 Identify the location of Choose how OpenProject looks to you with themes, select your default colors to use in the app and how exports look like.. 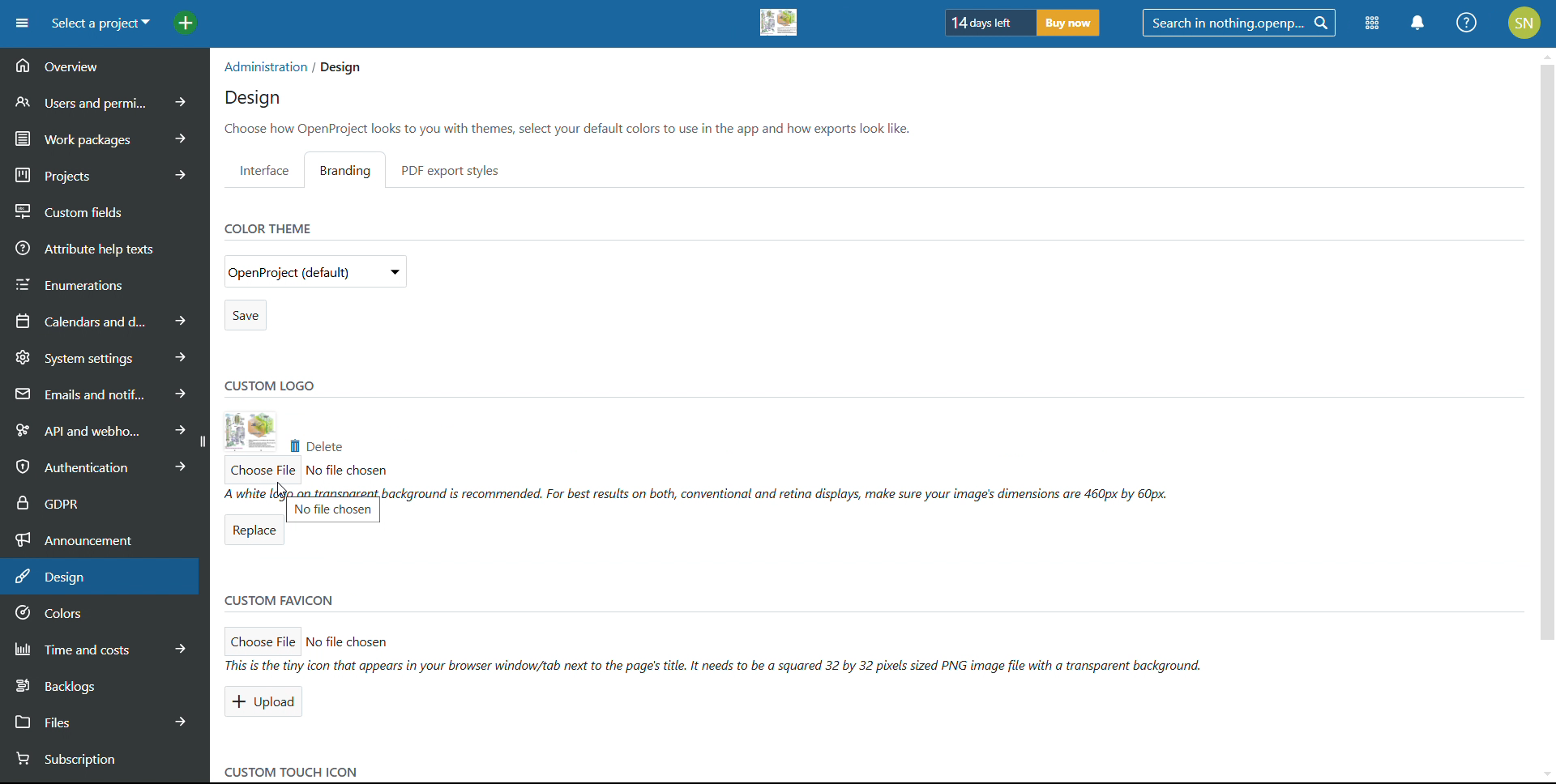
(572, 128).